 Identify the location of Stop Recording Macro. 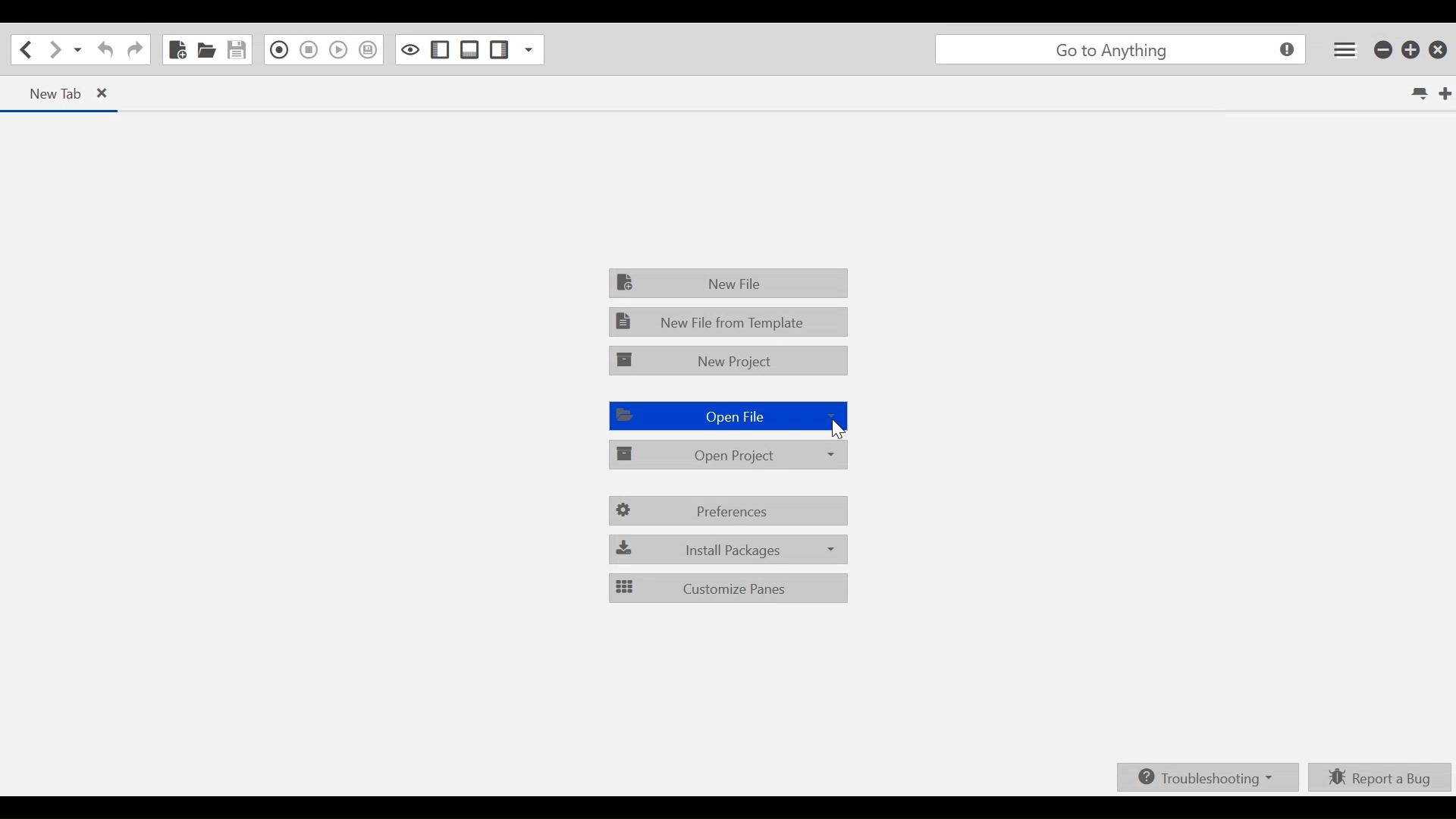
(309, 50).